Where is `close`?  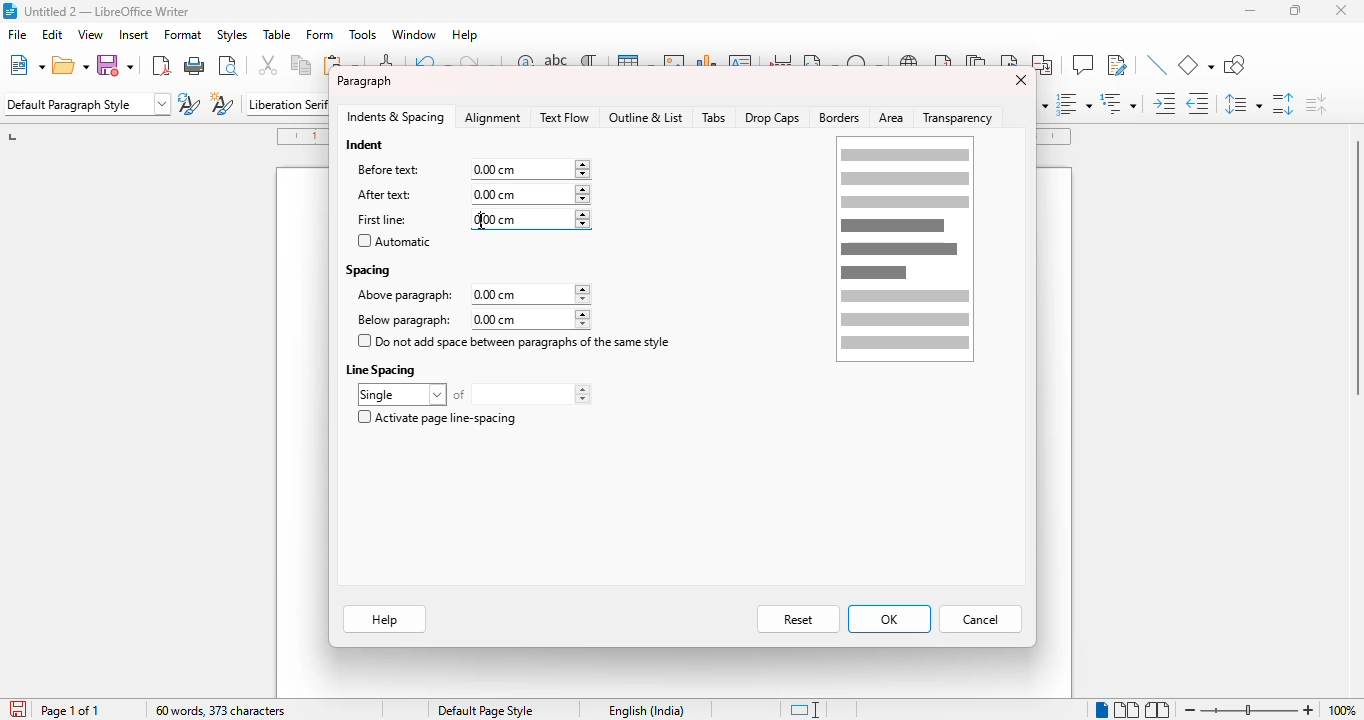 close is located at coordinates (1342, 10).